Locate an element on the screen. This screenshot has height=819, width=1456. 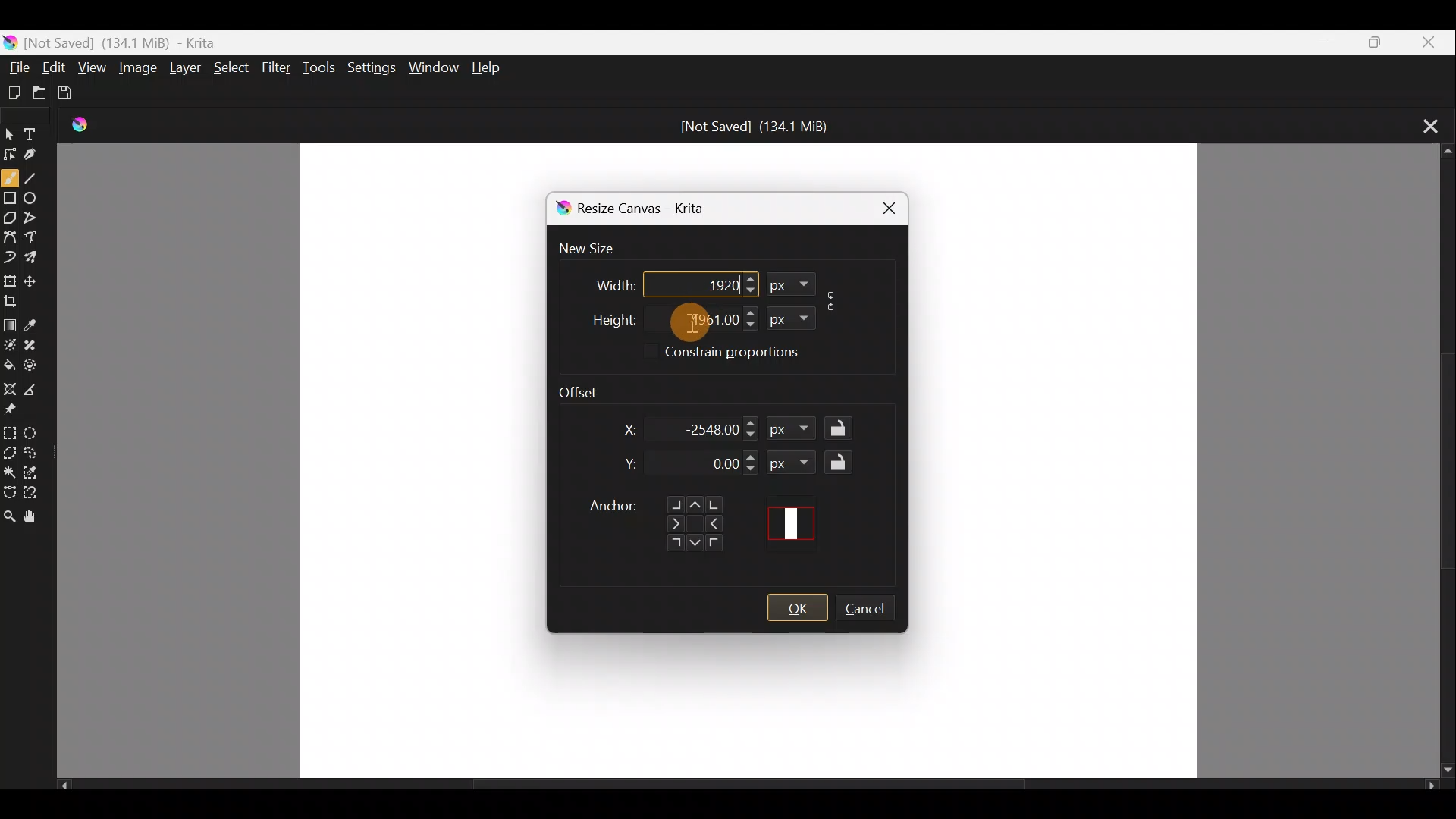
Open an existing document is located at coordinates (46, 93).